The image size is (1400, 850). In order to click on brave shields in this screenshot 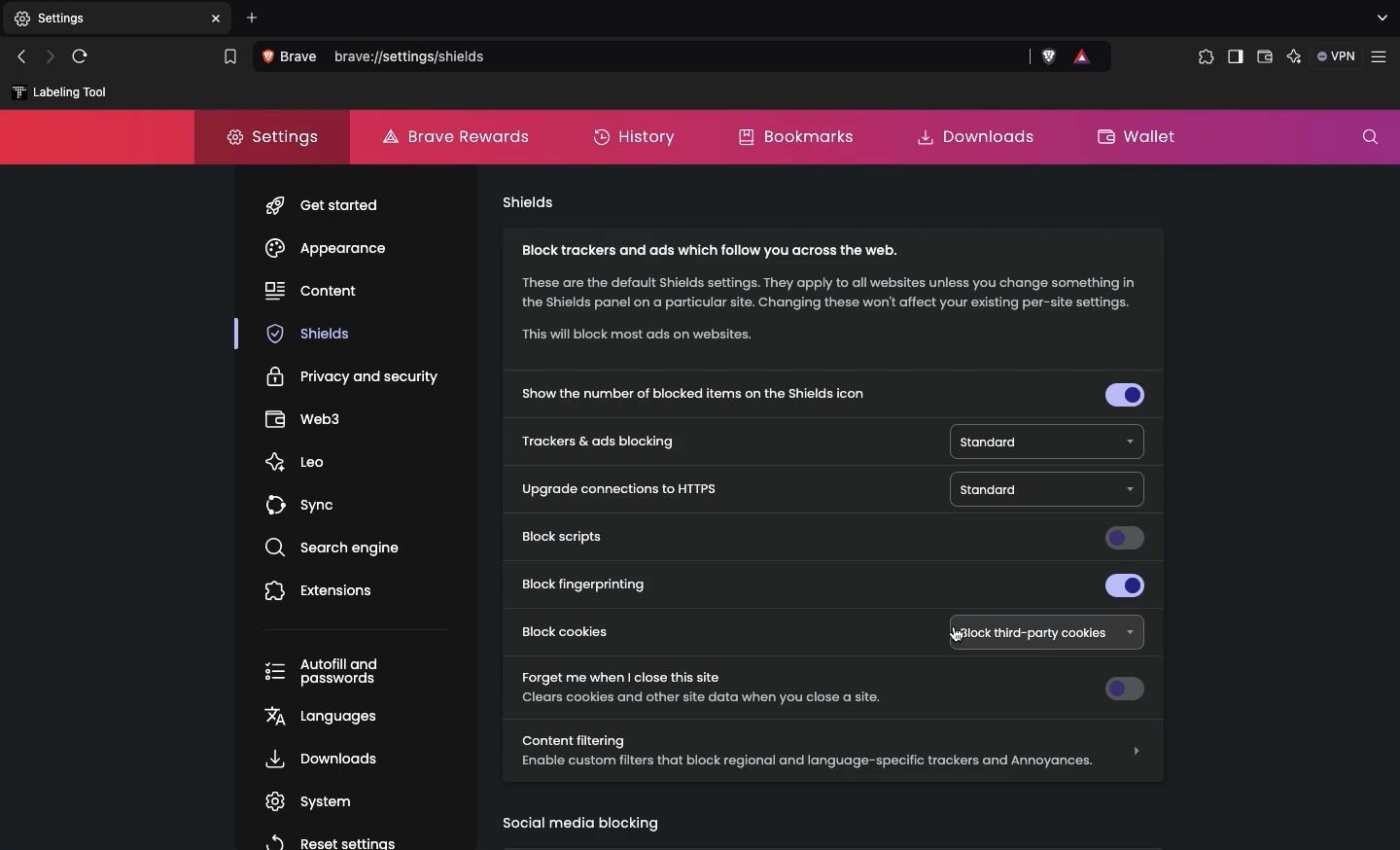, I will do `click(1045, 55)`.